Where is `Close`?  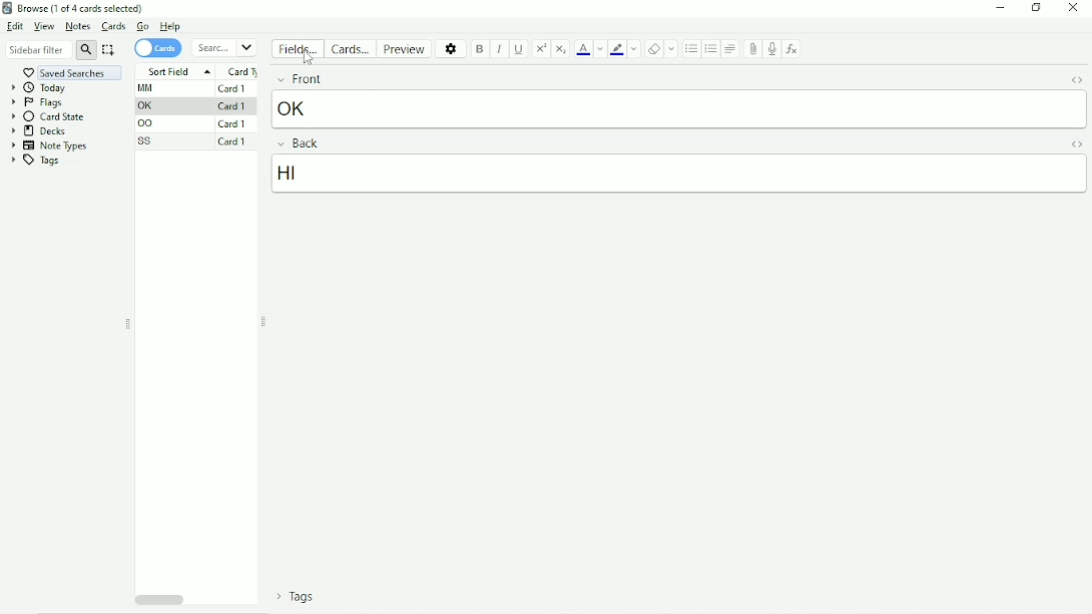
Close is located at coordinates (1074, 8).